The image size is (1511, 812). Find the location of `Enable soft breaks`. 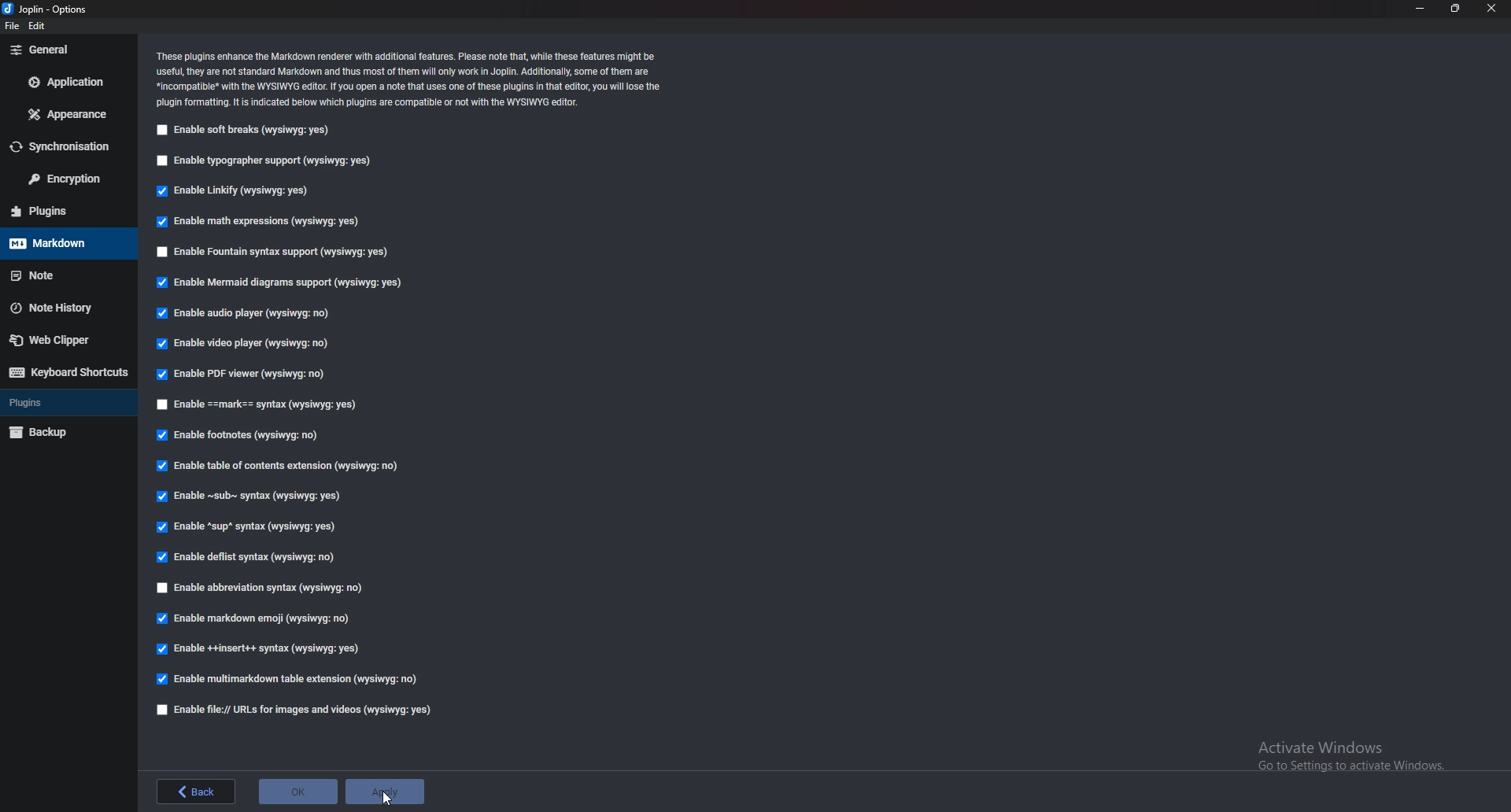

Enable soft breaks is located at coordinates (244, 132).